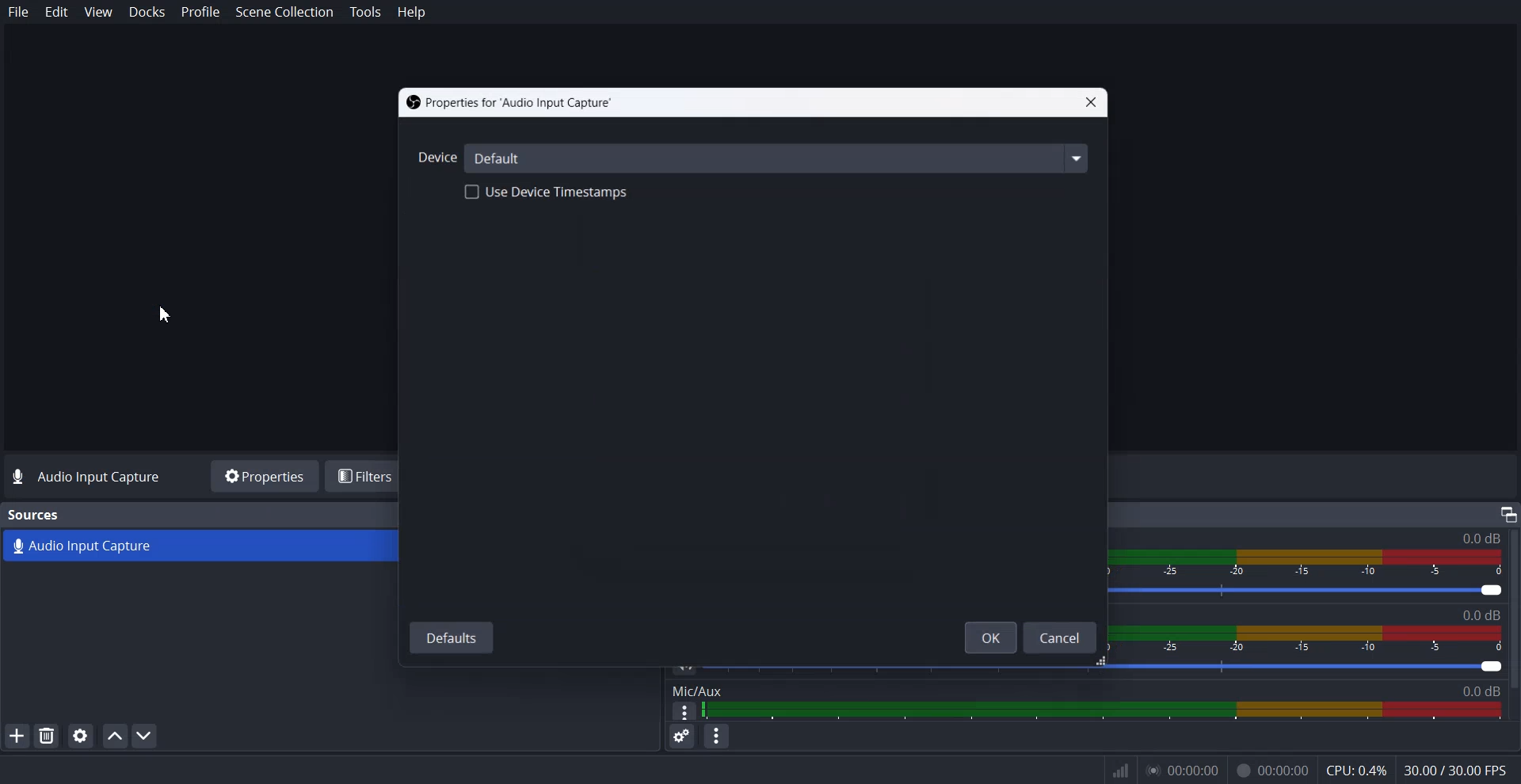 The width and height of the screenshot is (1521, 784). Describe the element at coordinates (47, 735) in the screenshot. I see `Remove Selected Source` at that location.